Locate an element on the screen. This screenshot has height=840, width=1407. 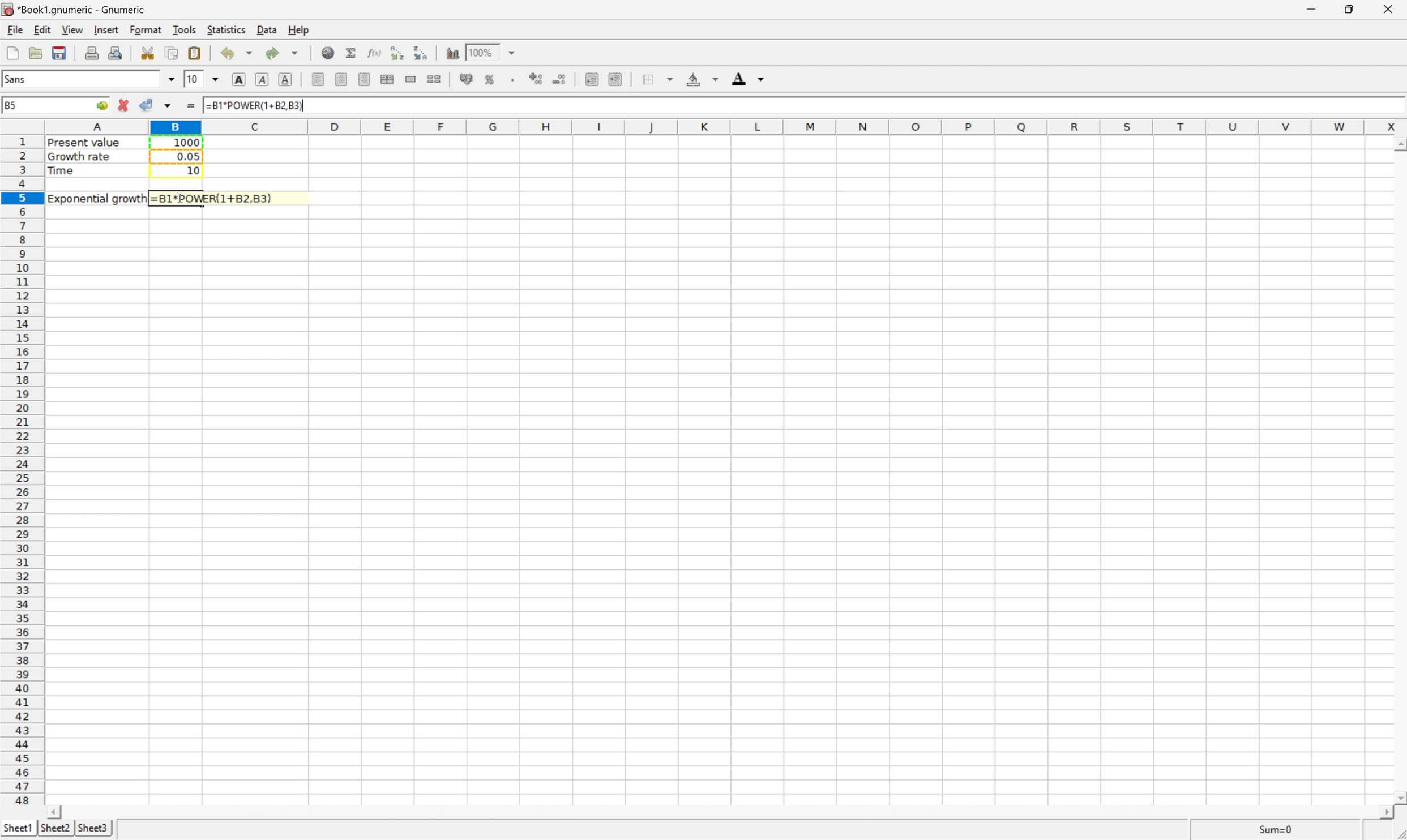
Print preview is located at coordinates (117, 53).